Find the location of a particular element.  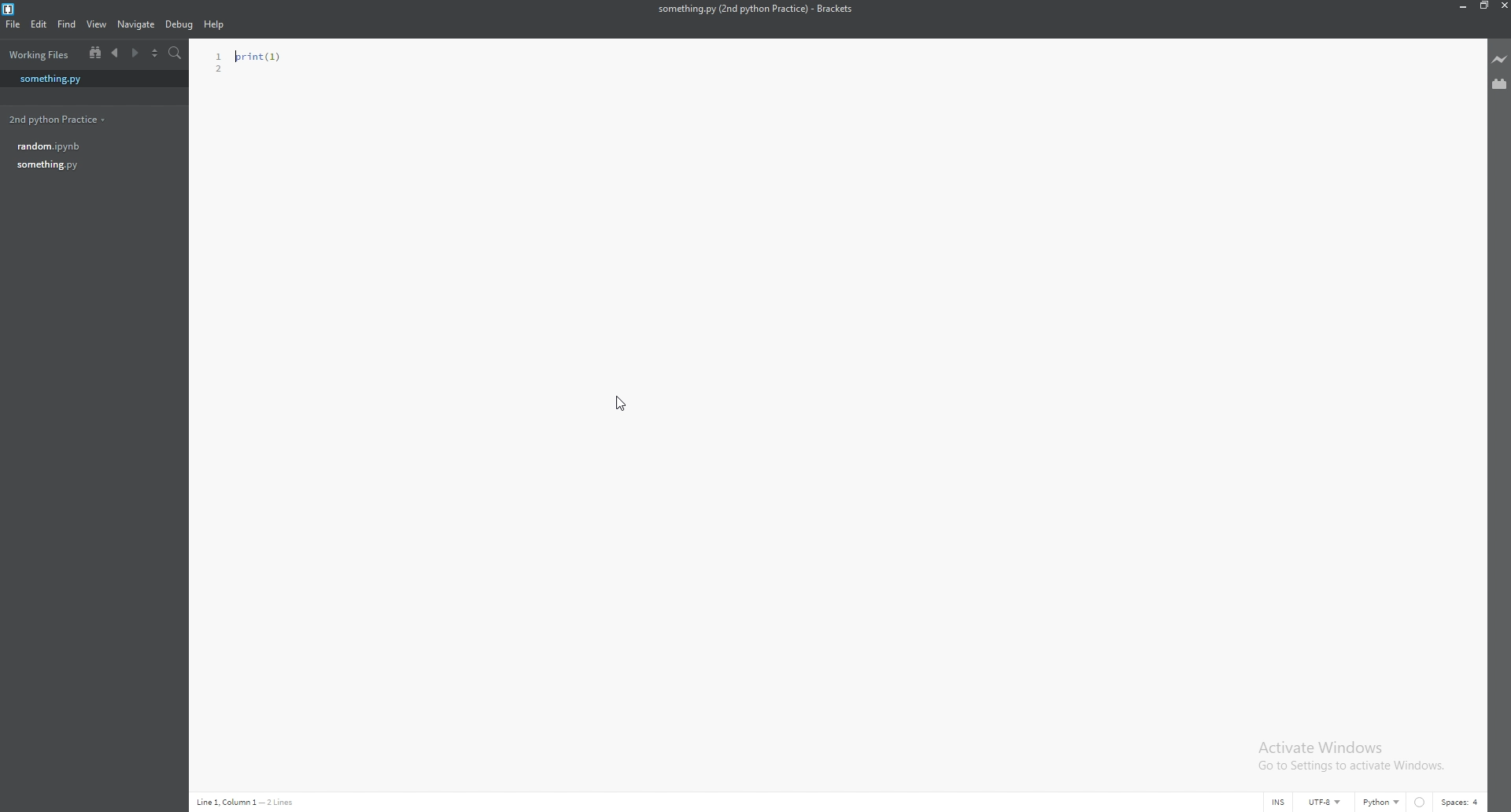

print(1) is located at coordinates (257, 57).